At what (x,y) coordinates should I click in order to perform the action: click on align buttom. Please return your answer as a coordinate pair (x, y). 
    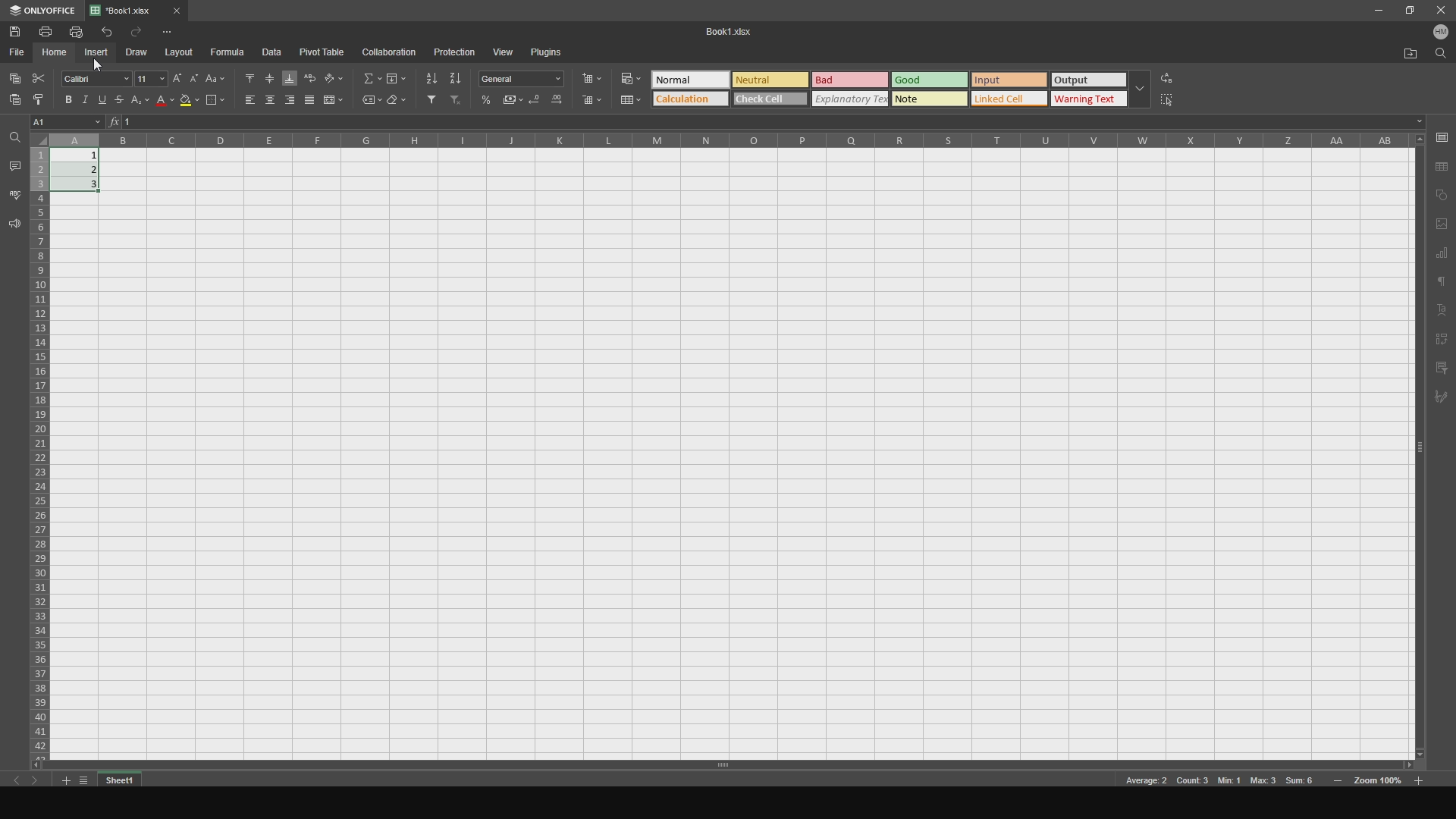
    Looking at the image, I should click on (288, 79).